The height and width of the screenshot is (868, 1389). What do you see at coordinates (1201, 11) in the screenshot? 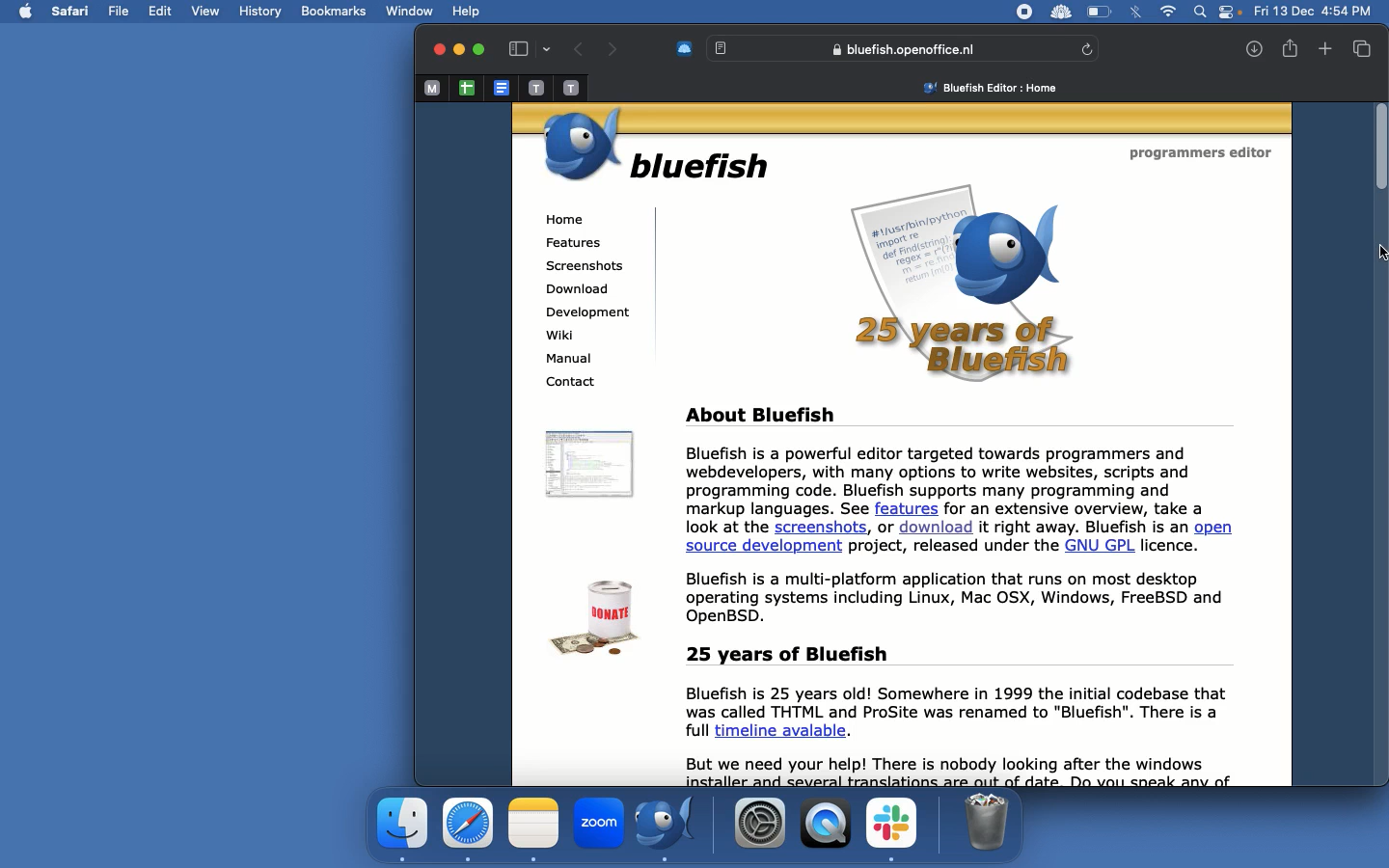
I see `Search` at bounding box center [1201, 11].